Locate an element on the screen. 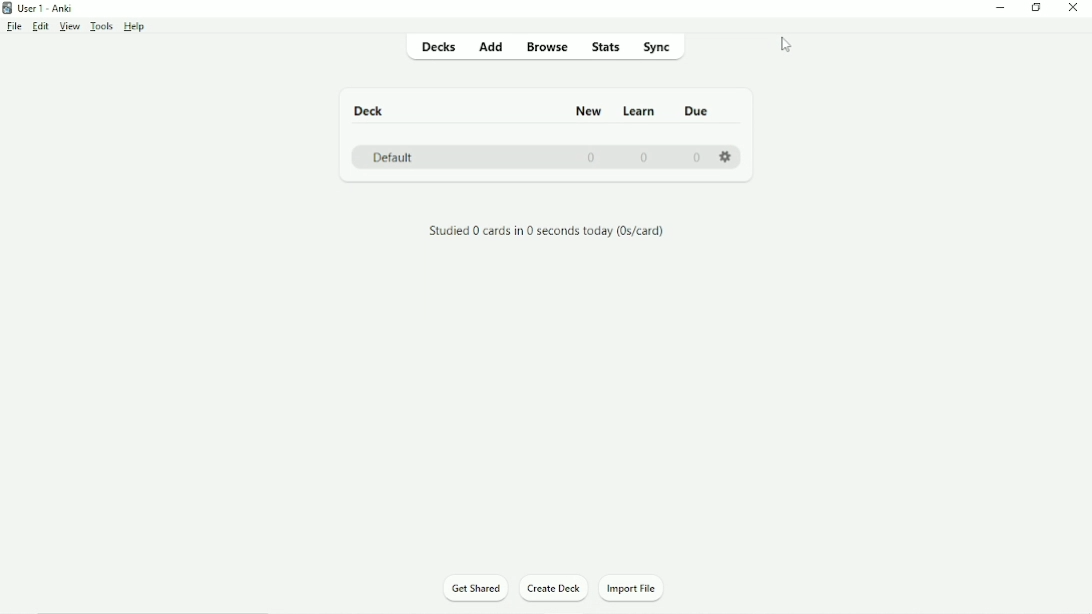 This screenshot has width=1092, height=614. Browse is located at coordinates (547, 49).